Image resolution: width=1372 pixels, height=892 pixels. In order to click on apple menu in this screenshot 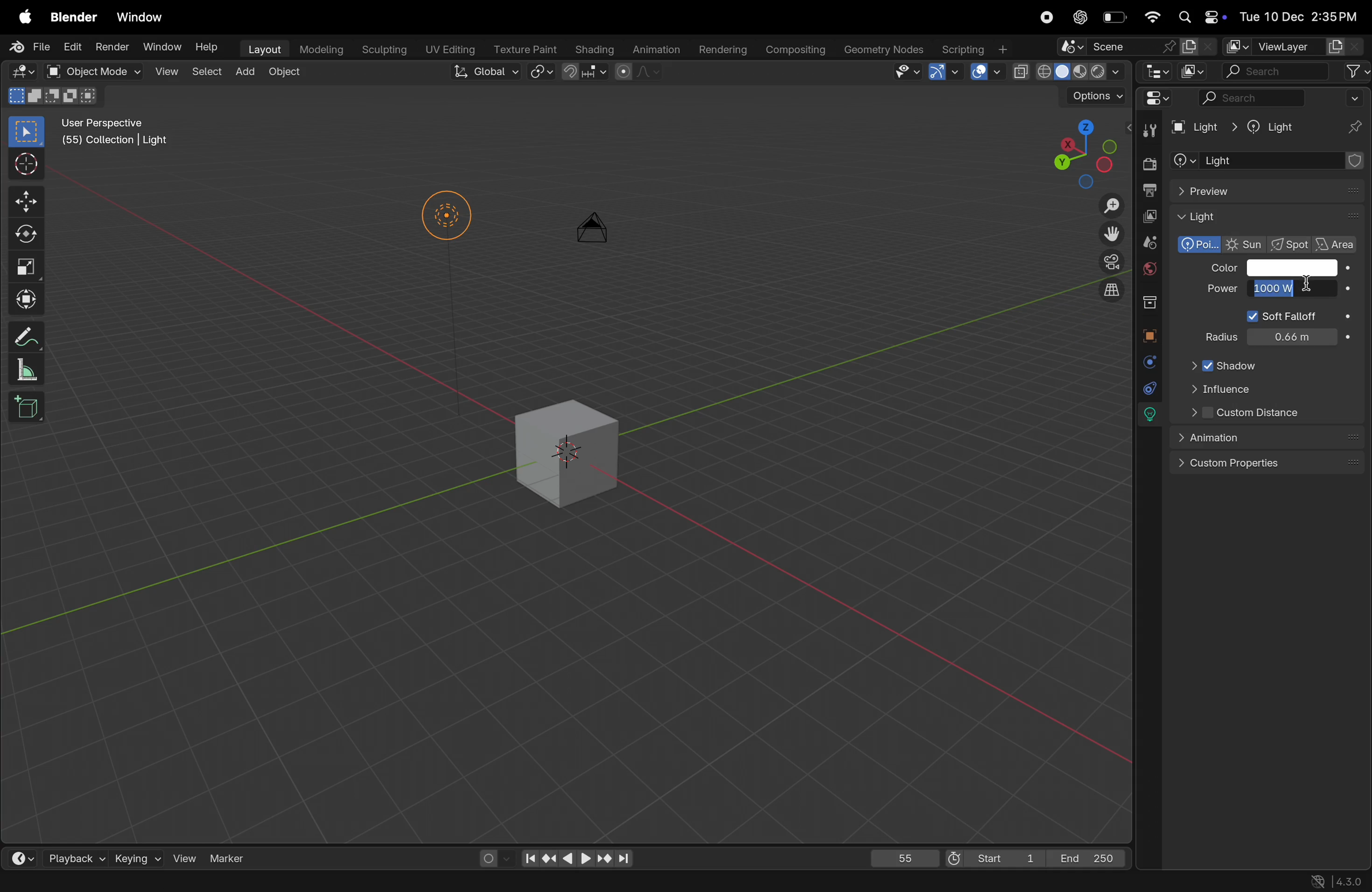, I will do `click(21, 16)`.